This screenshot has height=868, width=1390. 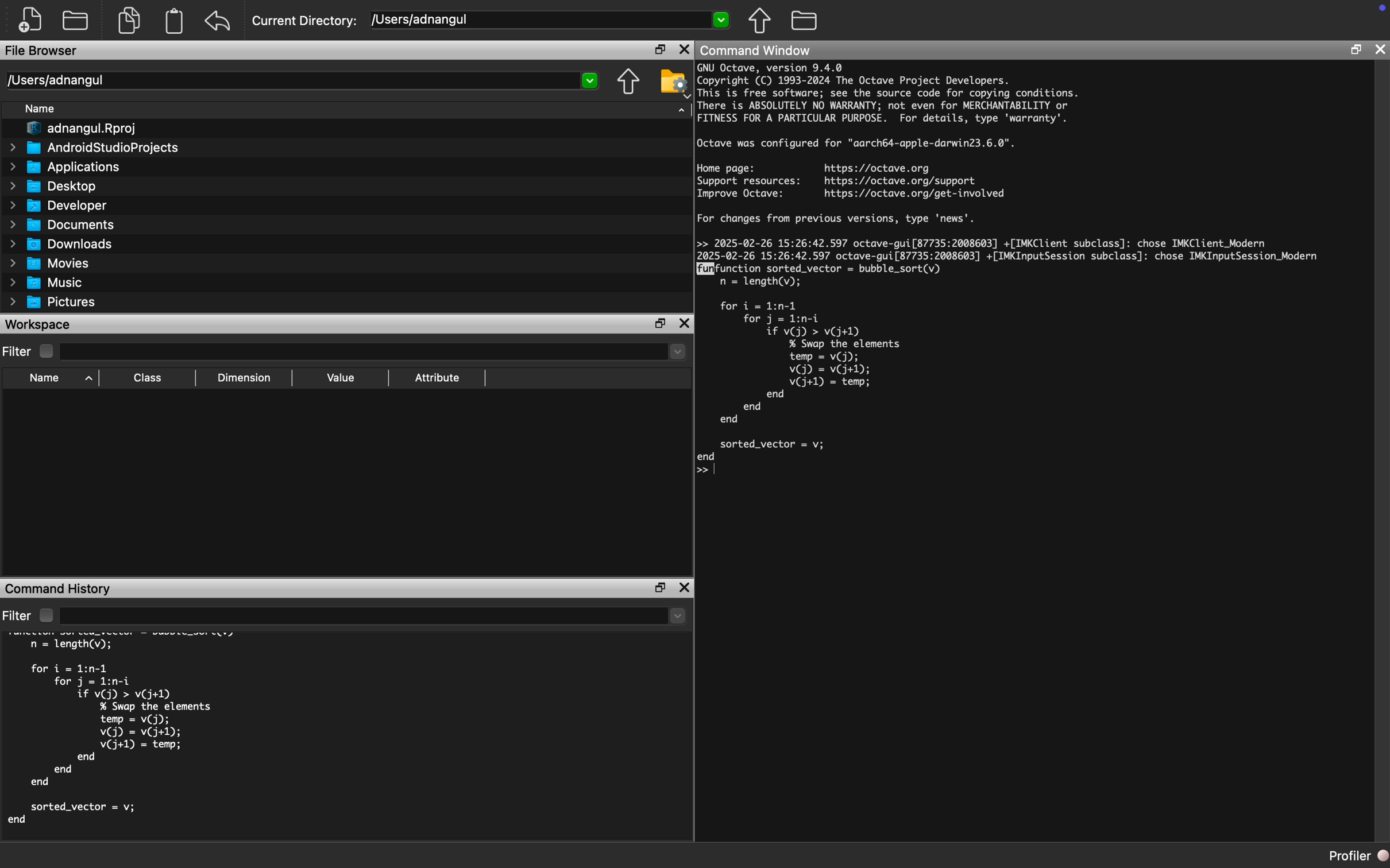 What do you see at coordinates (76, 20) in the screenshot?
I see `Folder` at bounding box center [76, 20].